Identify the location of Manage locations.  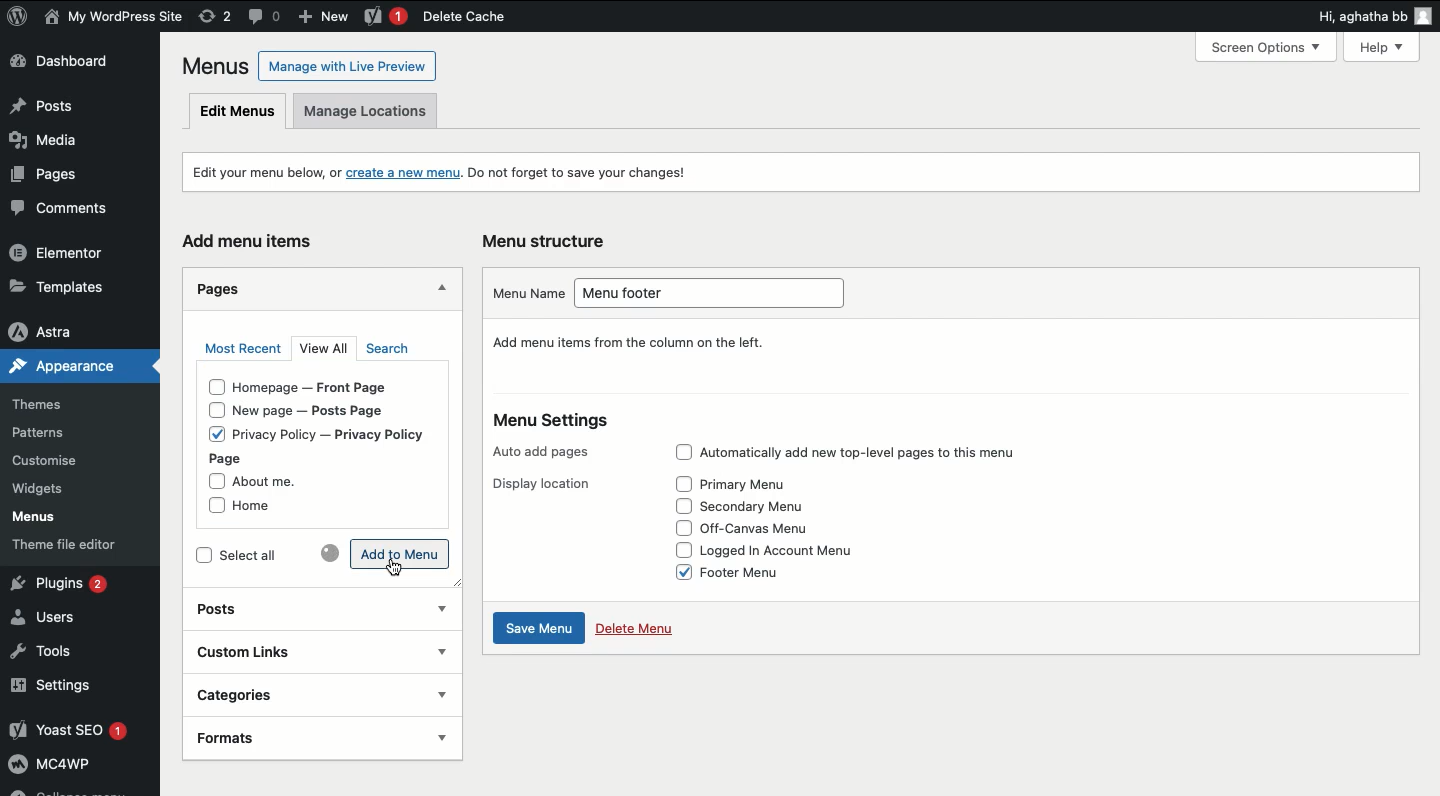
(374, 111).